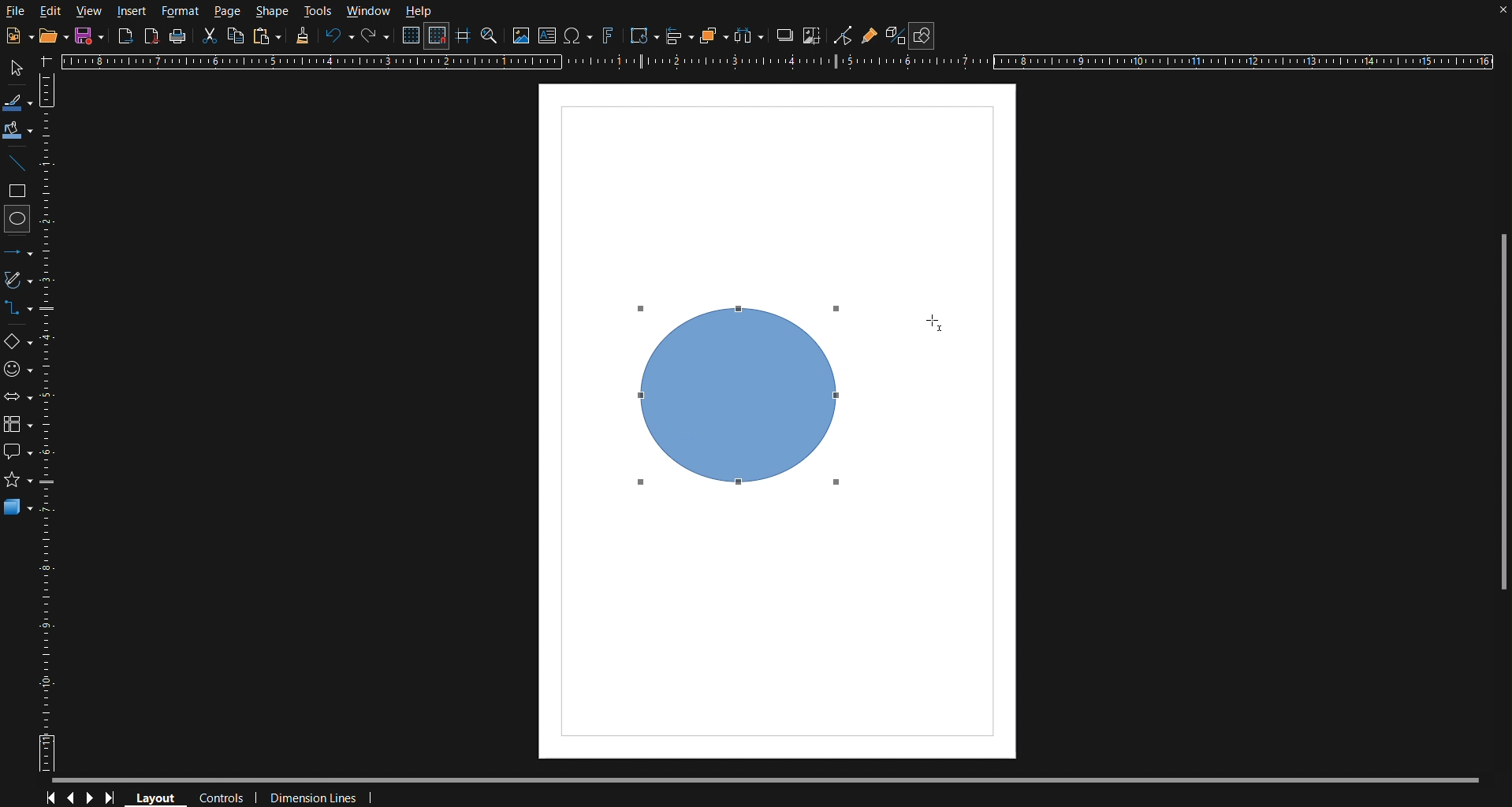 Image resolution: width=1512 pixels, height=807 pixels. I want to click on Insert Image, so click(522, 35).